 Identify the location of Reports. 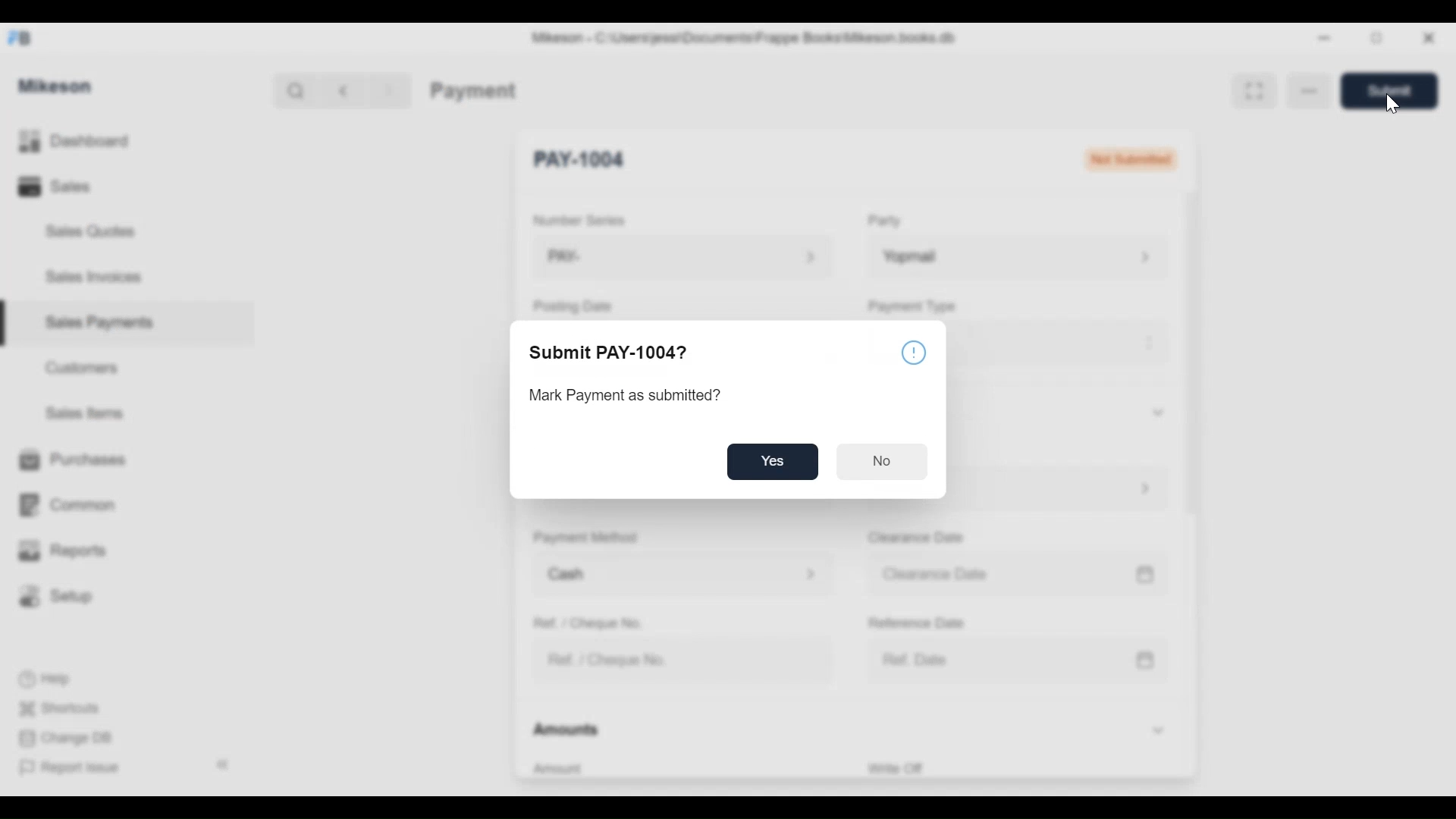
(65, 551).